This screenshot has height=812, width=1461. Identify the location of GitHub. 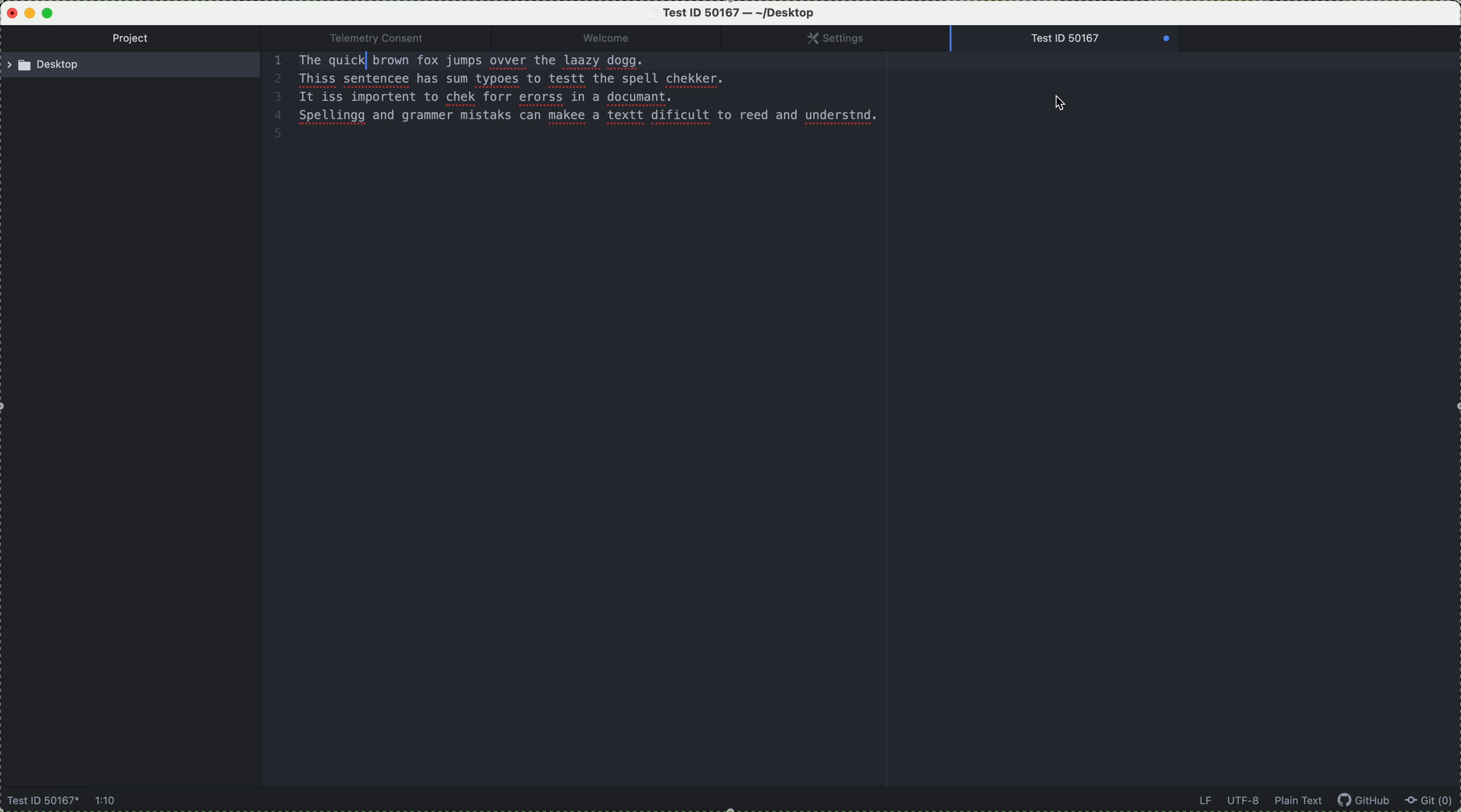
(1368, 802).